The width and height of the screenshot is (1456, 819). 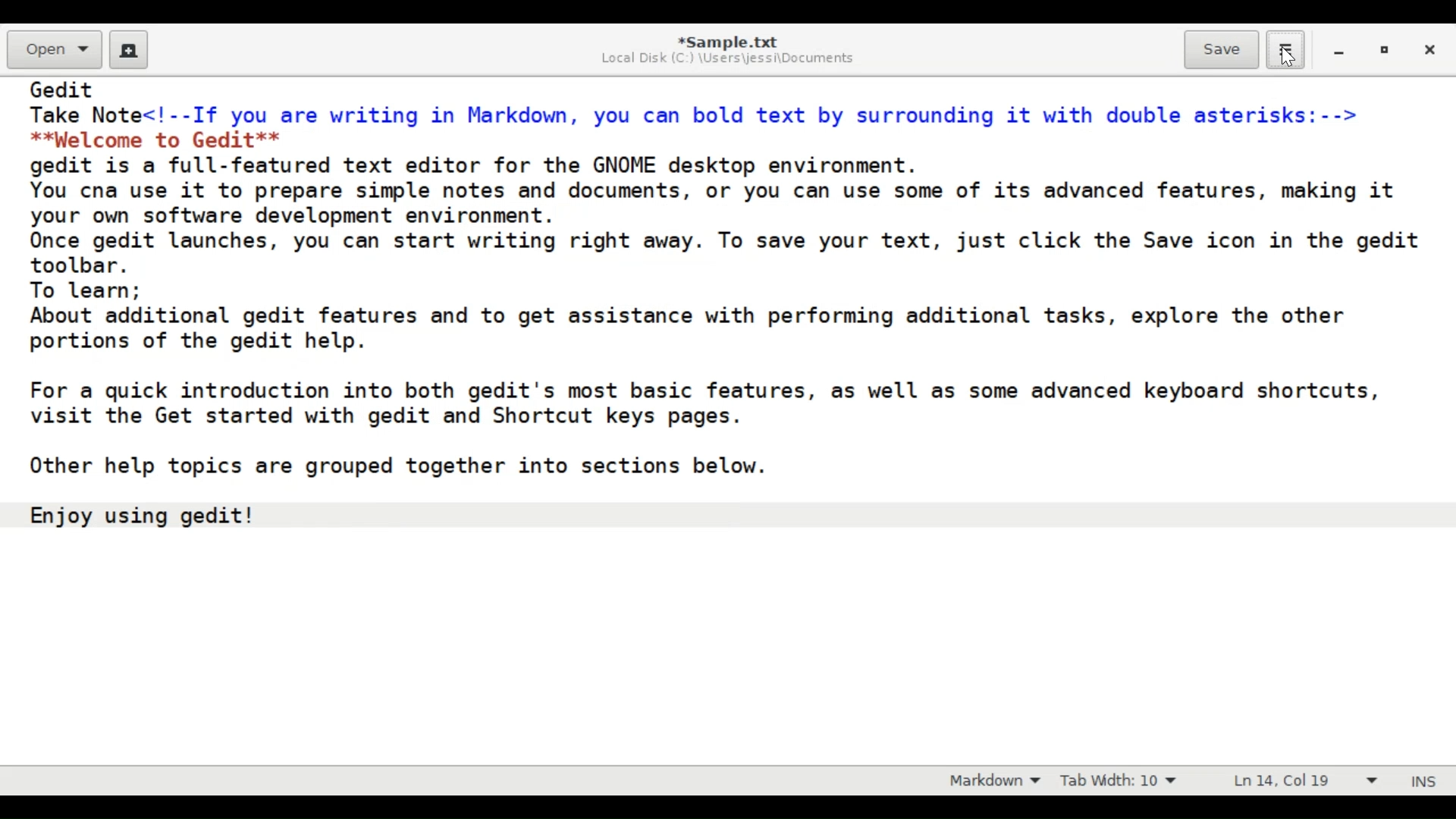 What do you see at coordinates (1336, 52) in the screenshot?
I see `minimize` at bounding box center [1336, 52].